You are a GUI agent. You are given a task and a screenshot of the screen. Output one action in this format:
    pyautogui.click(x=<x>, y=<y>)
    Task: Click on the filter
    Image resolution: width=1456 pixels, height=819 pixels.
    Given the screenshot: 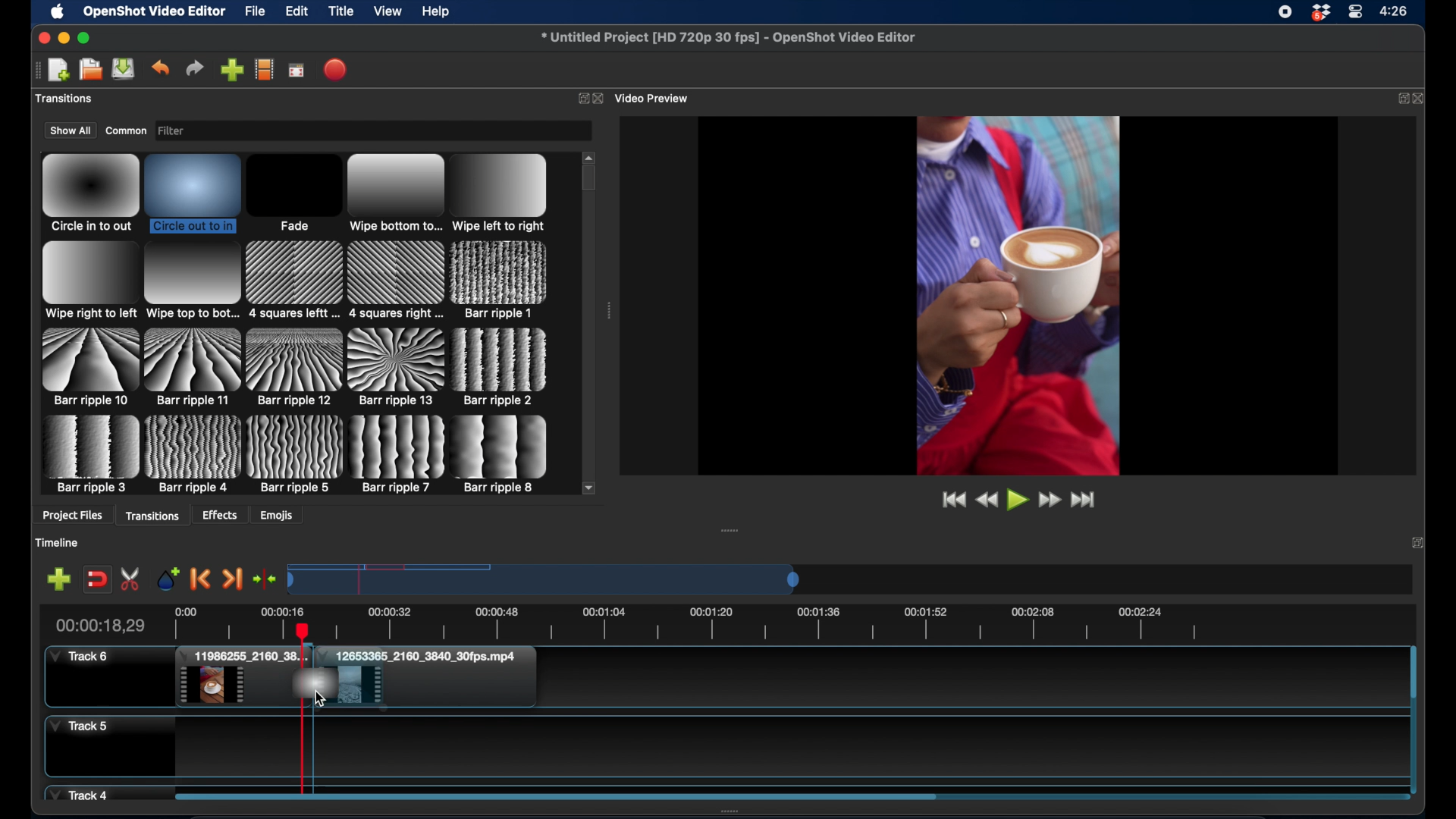 What is the action you would take?
    pyautogui.click(x=196, y=131)
    